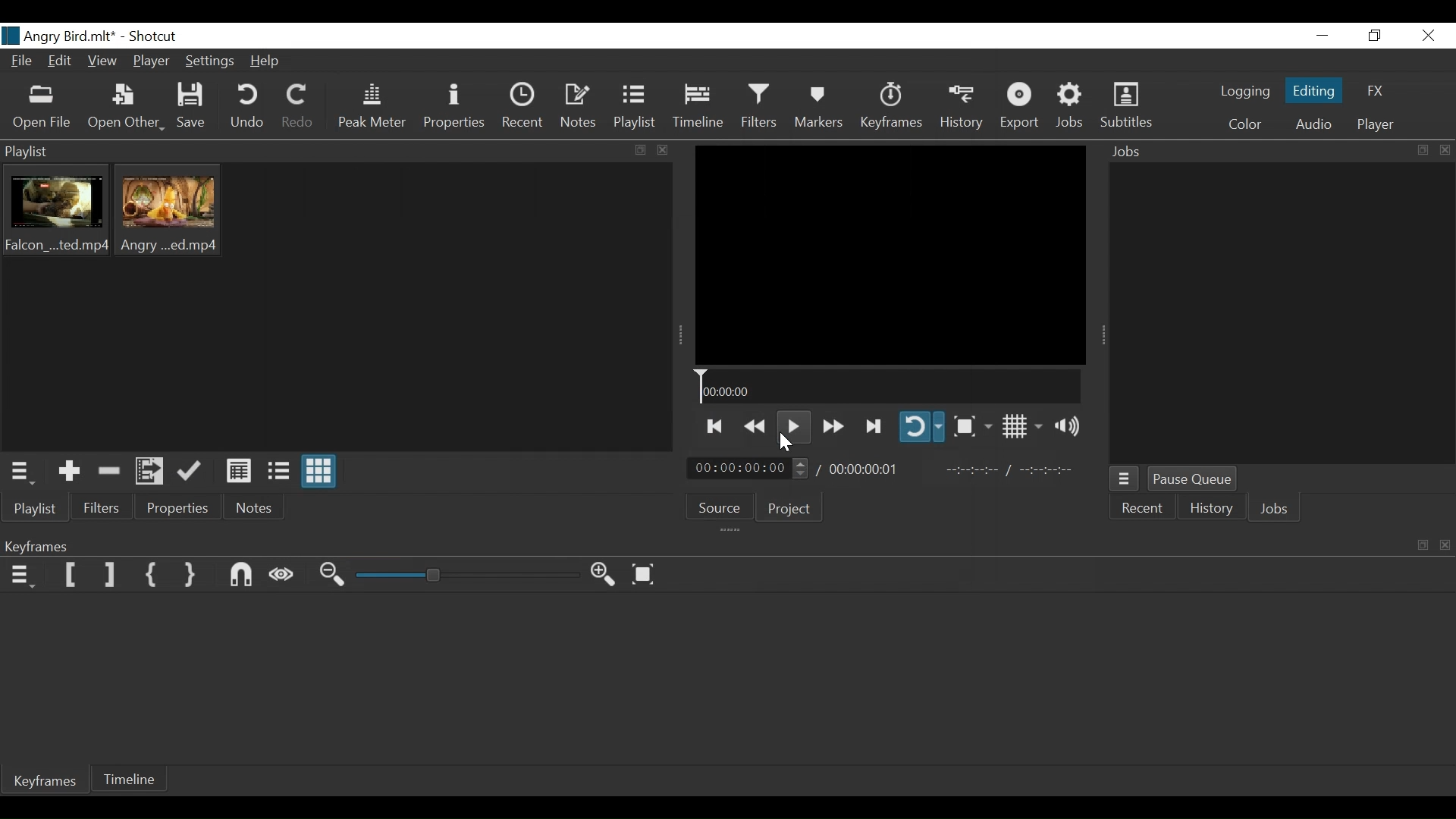 The width and height of the screenshot is (1456, 819). I want to click on logging, so click(1244, 91).